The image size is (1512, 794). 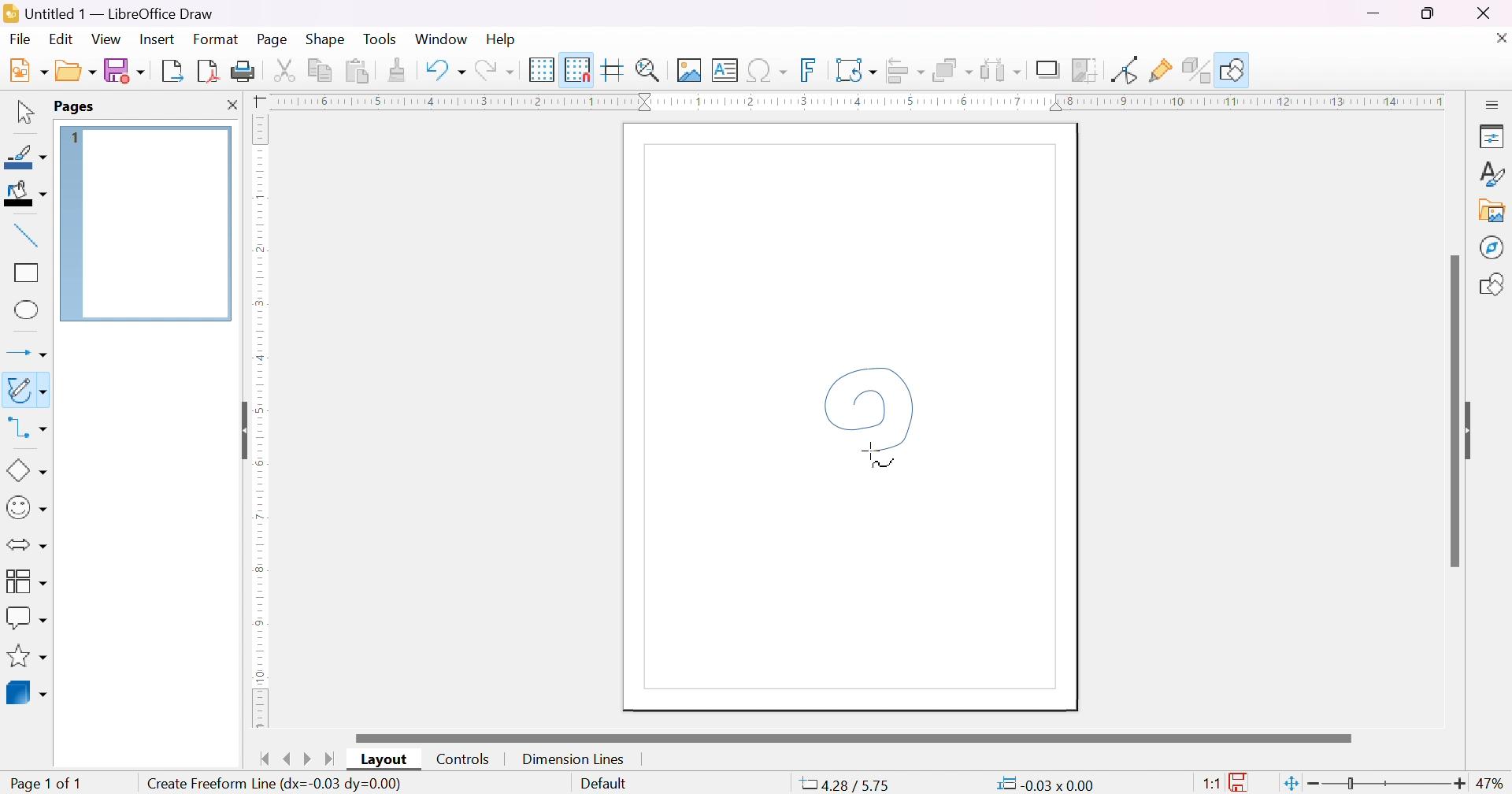 I want to click on basic shapes, so click(x=27, y=471).